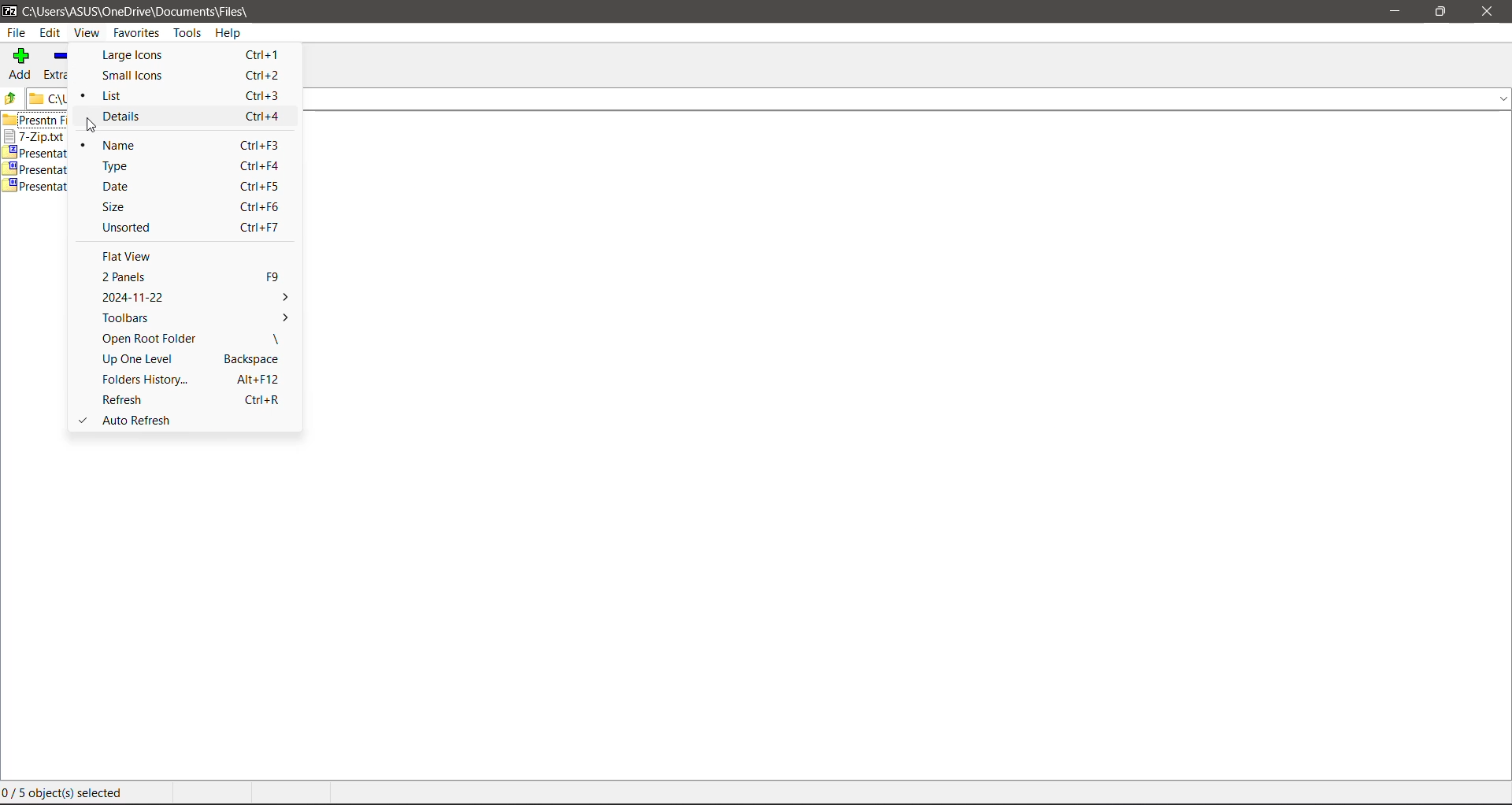 The height and width of the screenshot is (805, 1512). I want to click on Restore Down, so click(1442, 12).